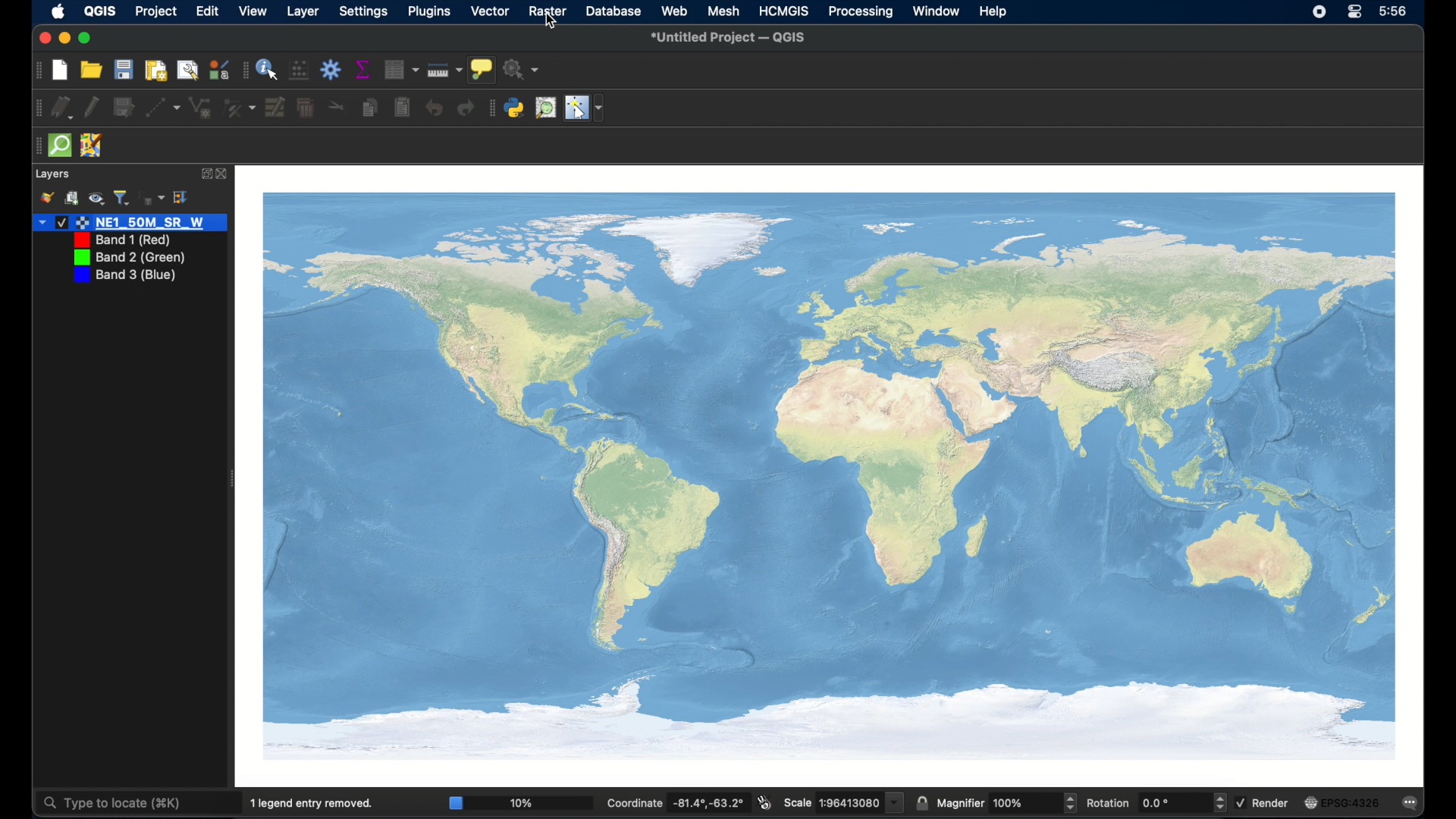 This screenshot has width=1456, height=819. Describe the element at coordinates (97, 199) in the screenshot. I see `manage map theme` at that location.